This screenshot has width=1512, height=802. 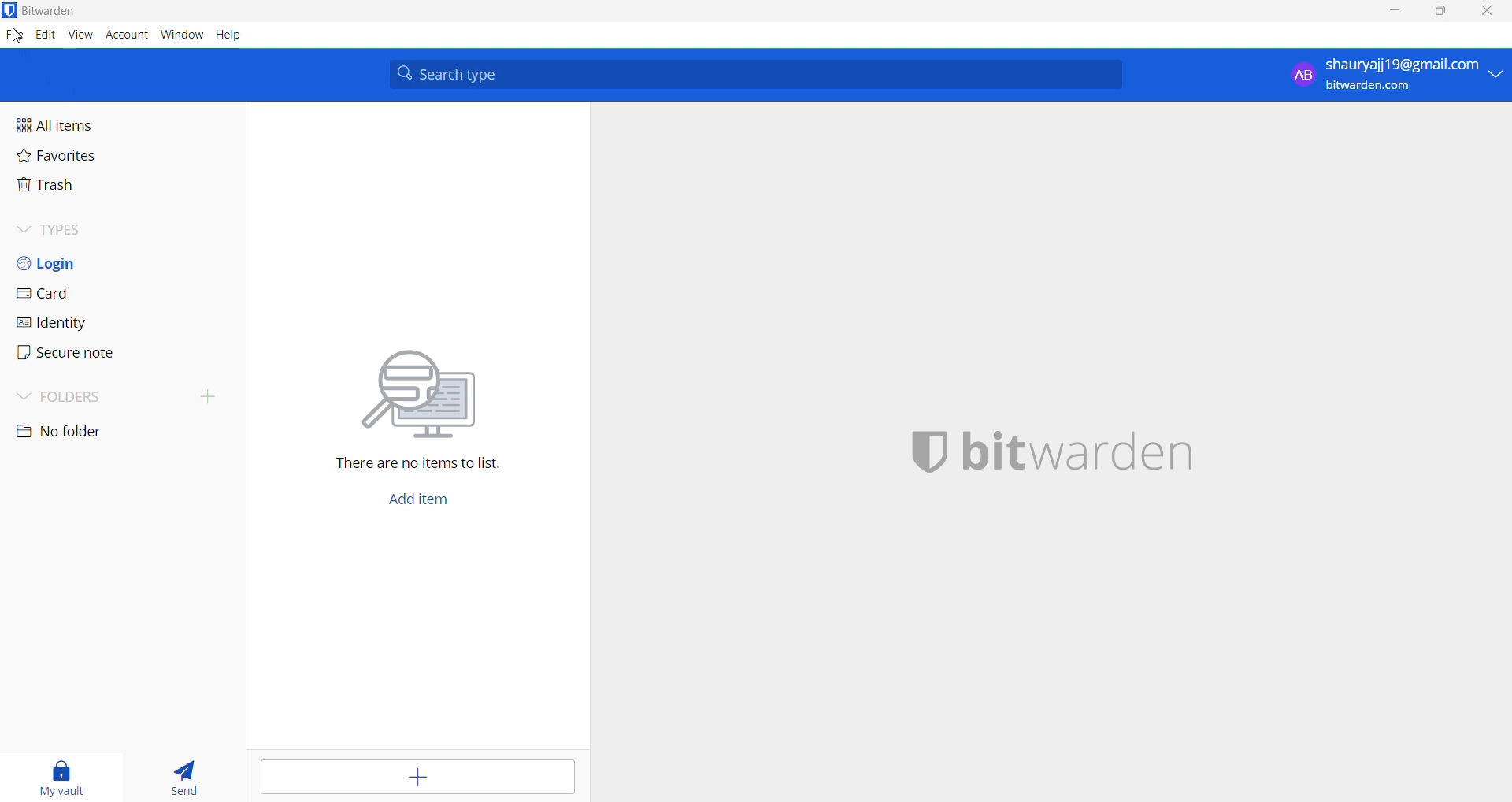 I want to click on there are no items to list , so click(x=427, y=398).